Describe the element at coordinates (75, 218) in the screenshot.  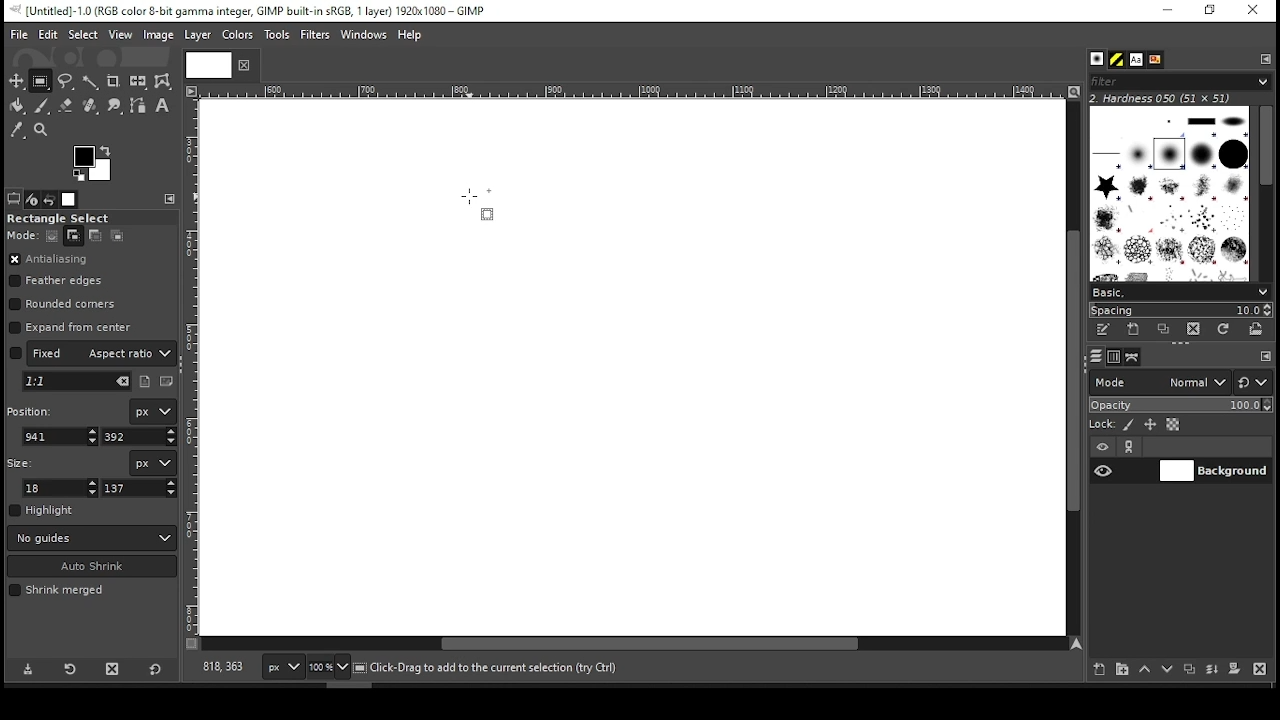
I see `rectangle select` at that location.